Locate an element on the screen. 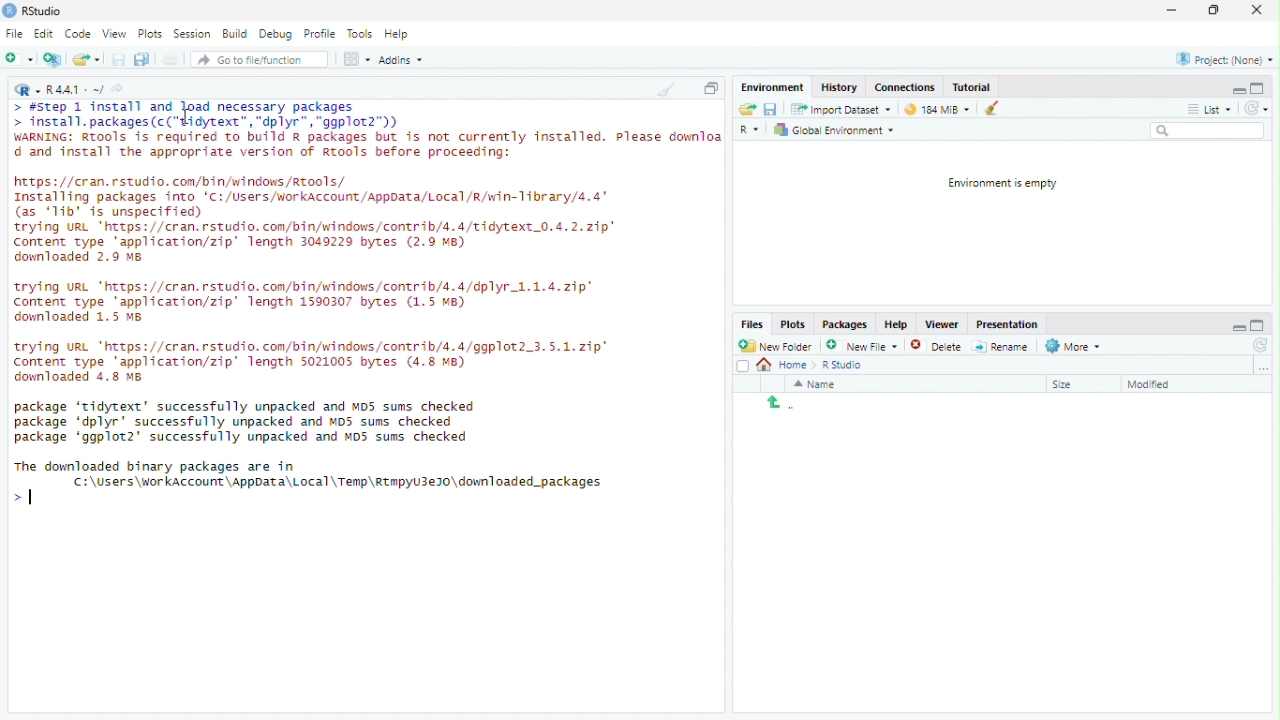  New Folder is located at coordinates (775, 346).